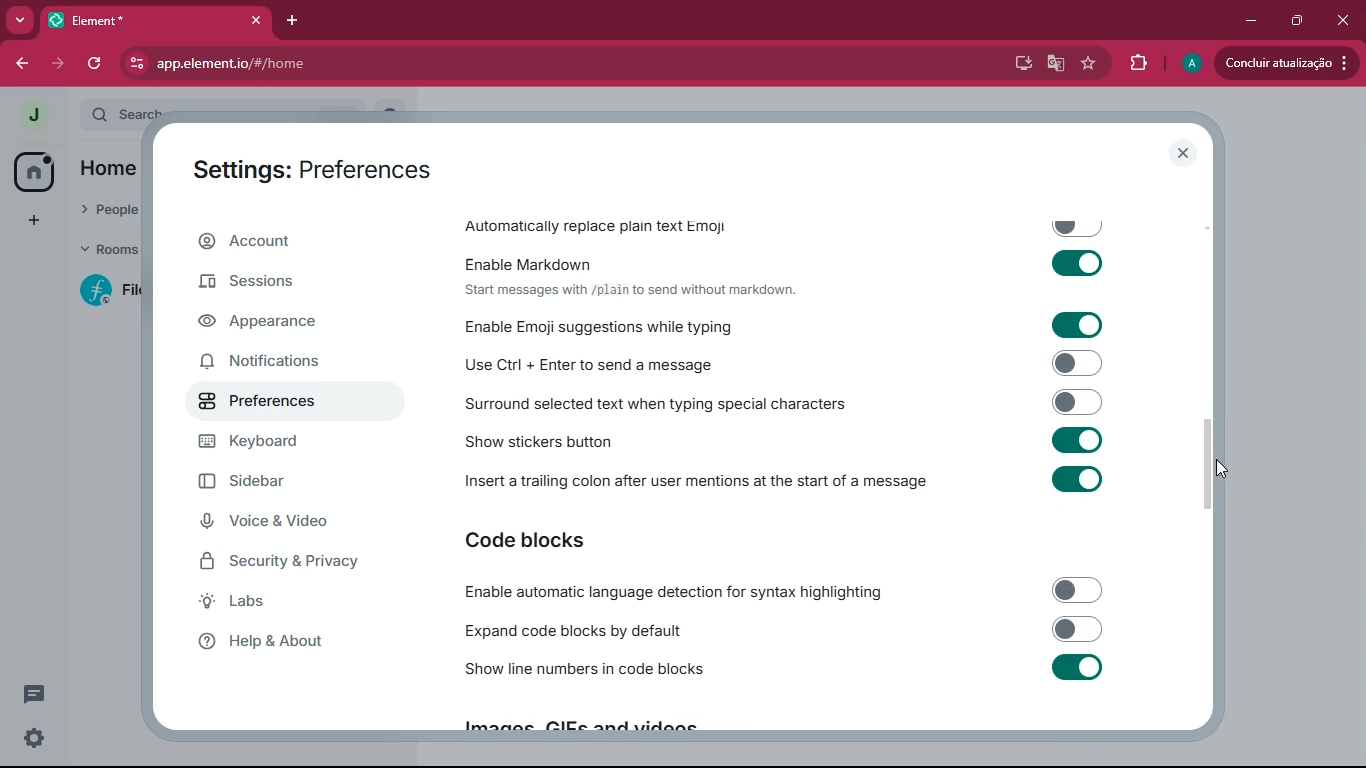 This screenshot has width=1366, height=768. What do you see at coordinates (33, 170) in the screenshot?
I see `home` at bounding box center [33, 170].